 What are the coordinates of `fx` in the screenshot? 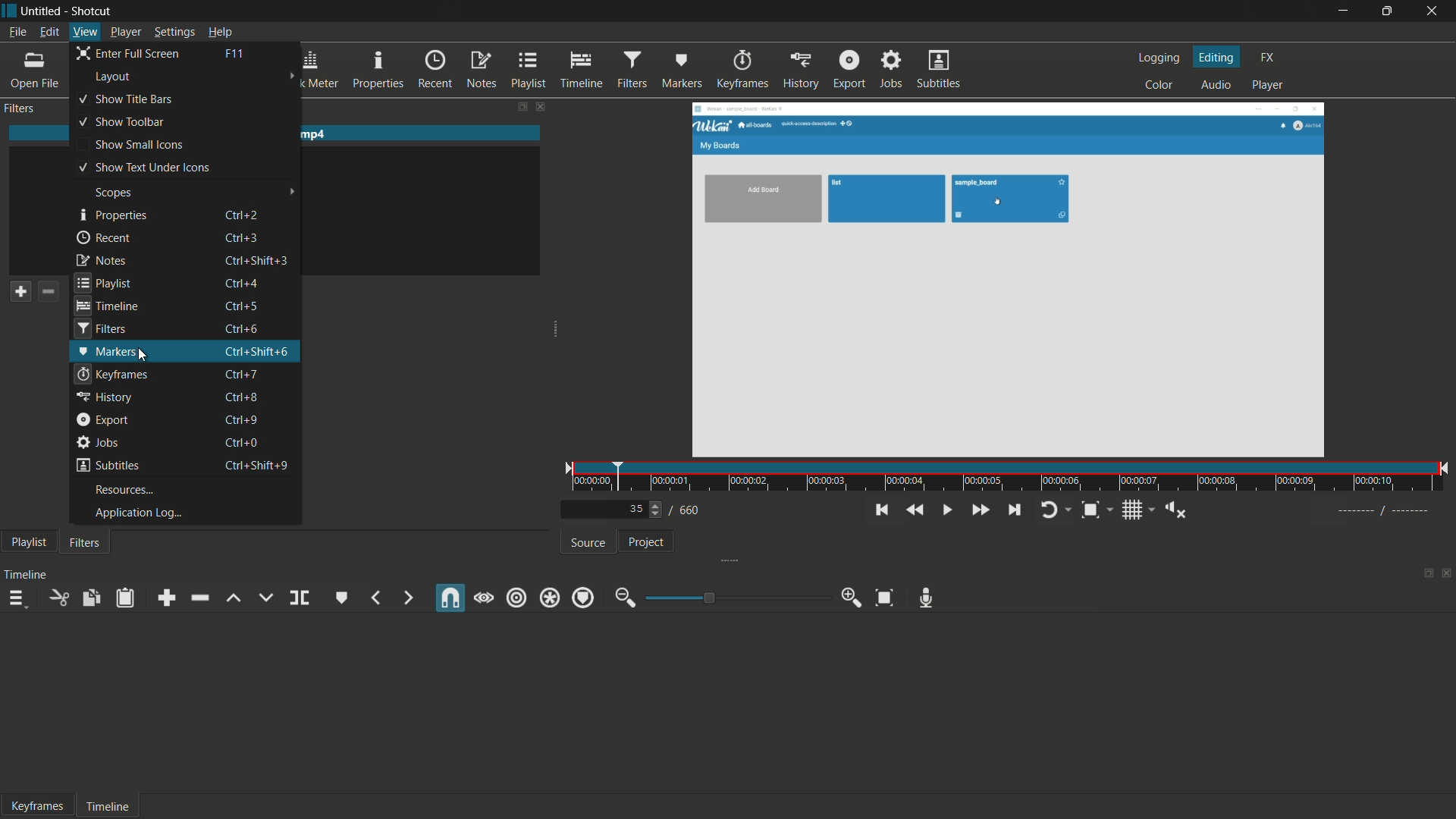 It's located at (1266, 58).